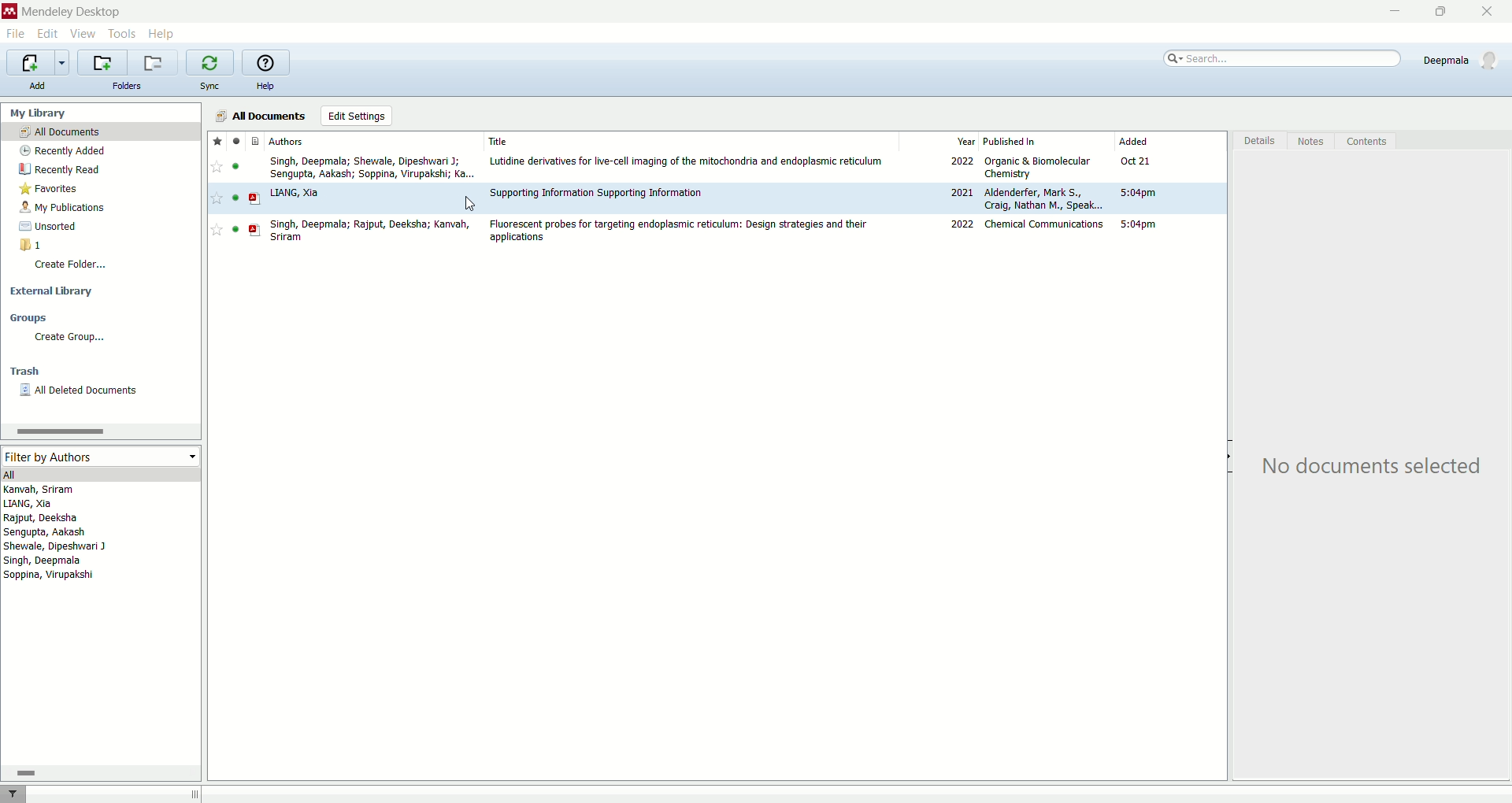 The width and height of the screenshot is (1512, 803). What do you see at coordinates (50, 574) in the screenshot?
I see `soppina, virupakshi` at bounding box center [50, 574].